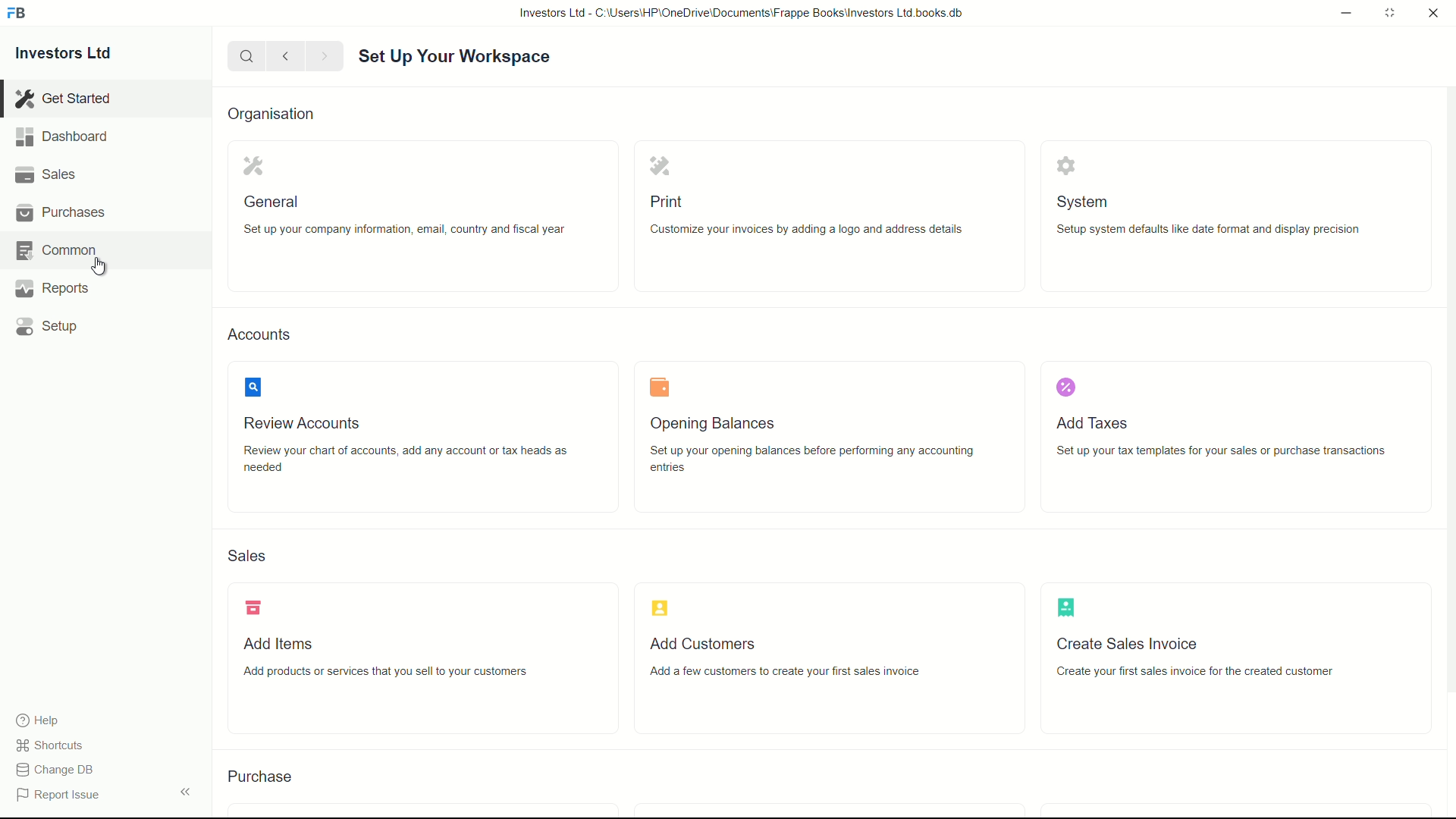  I want to click on Organisation, so click(277, 115).